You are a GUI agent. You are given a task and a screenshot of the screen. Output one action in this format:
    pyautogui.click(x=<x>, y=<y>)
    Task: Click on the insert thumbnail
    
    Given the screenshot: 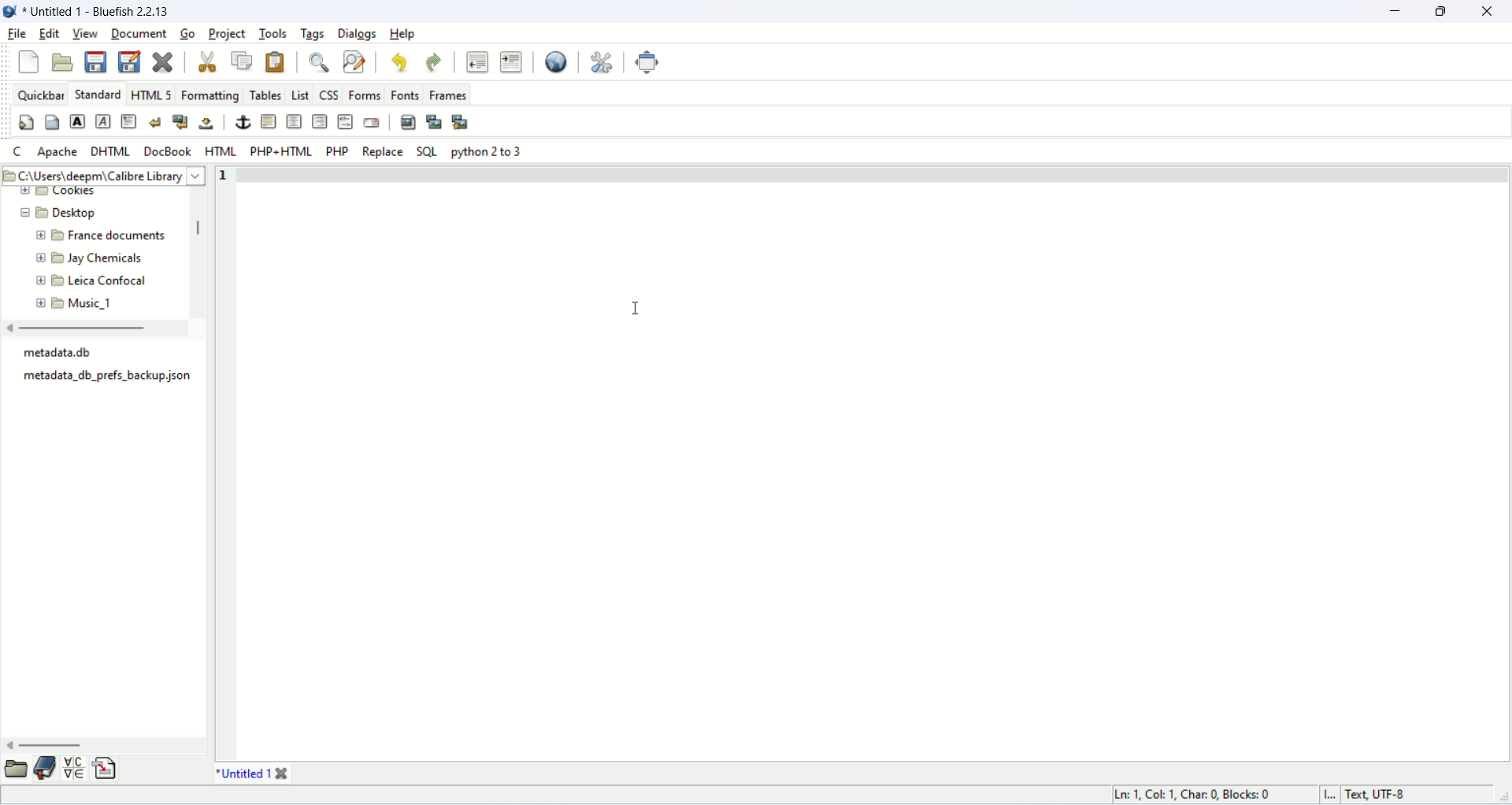 What is the action you would take?
    pyautogui.click(x=434, y=122)
    